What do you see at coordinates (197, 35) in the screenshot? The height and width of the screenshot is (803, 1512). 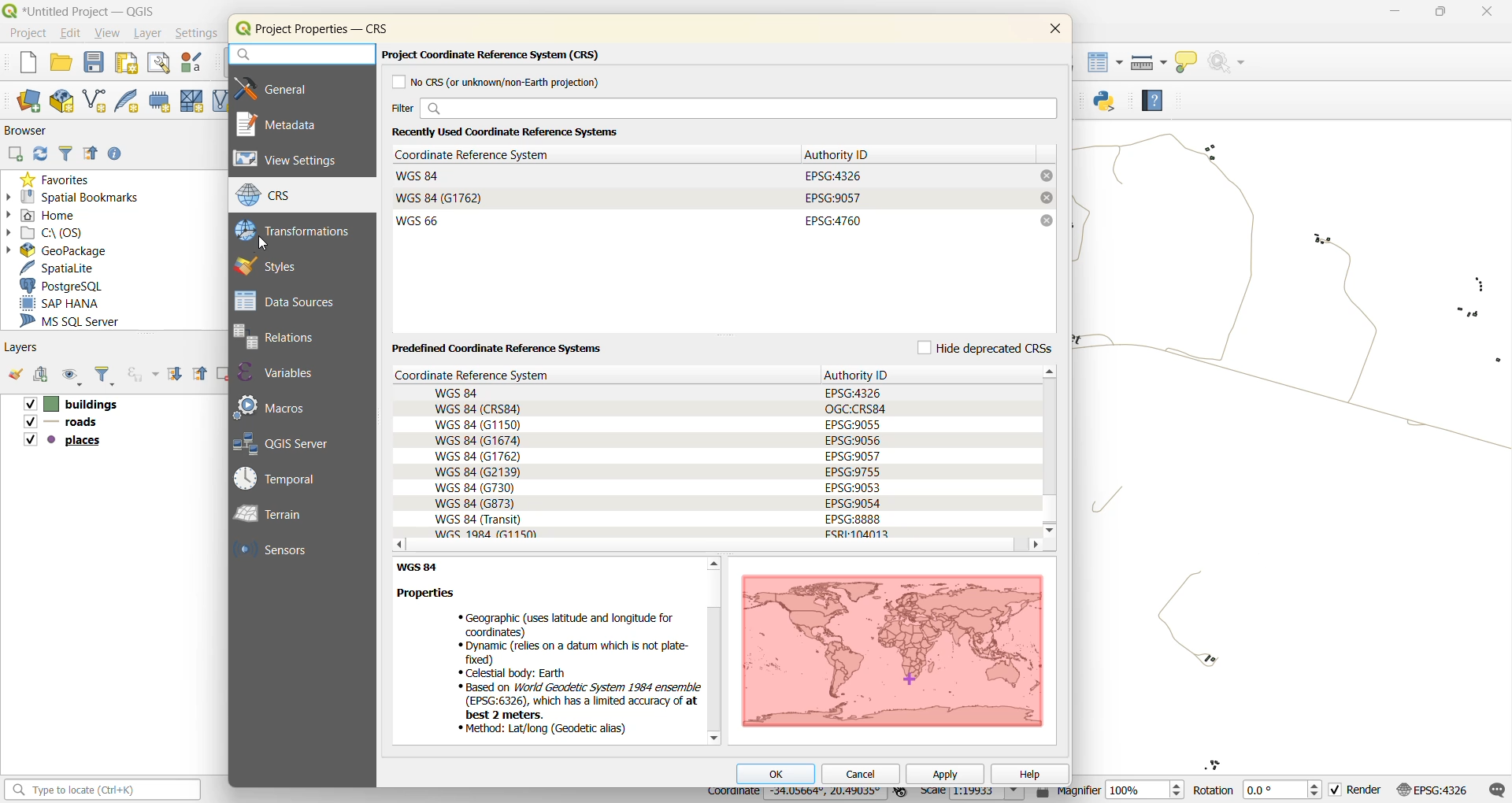 I see `settings` at bounding box center [197, 35].